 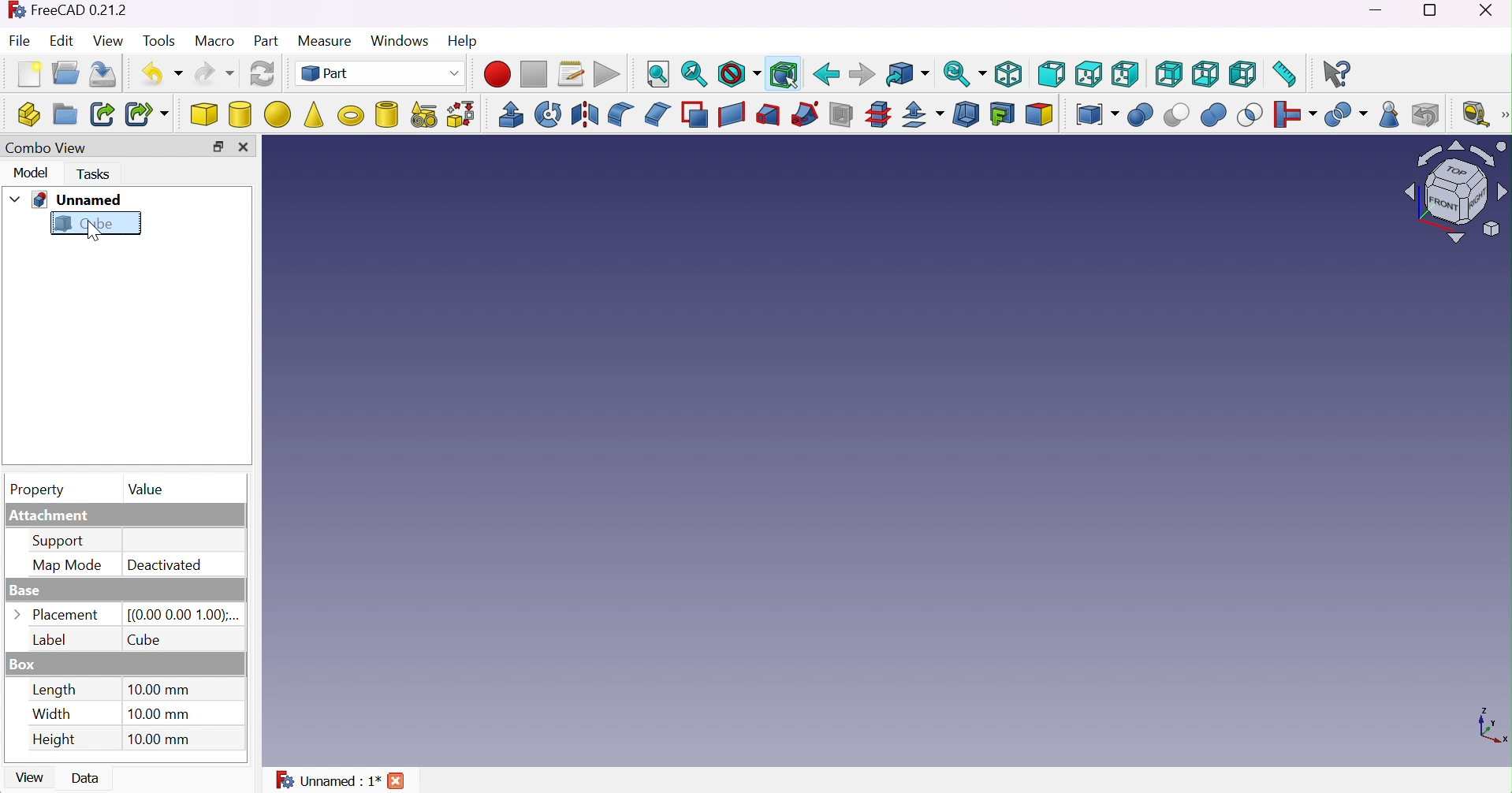 What do you see at coordinates (740, 73) in the screenshot?
I see `Draw style` at bounding box center [740, 73].